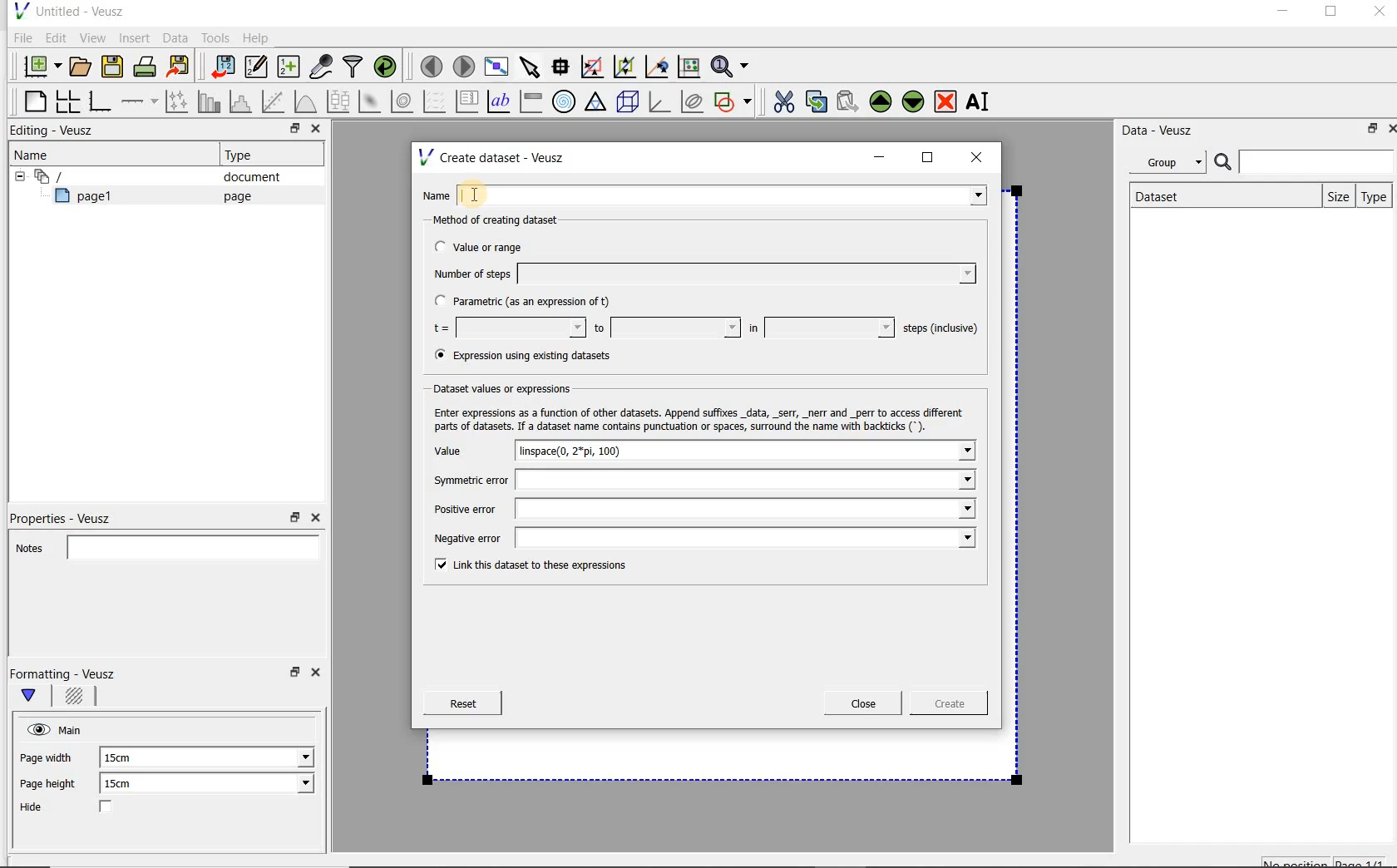 Image resolution: width=1397 pixels, height=868 pixels. I want to click on Fit a function to data, so click(275, 101).